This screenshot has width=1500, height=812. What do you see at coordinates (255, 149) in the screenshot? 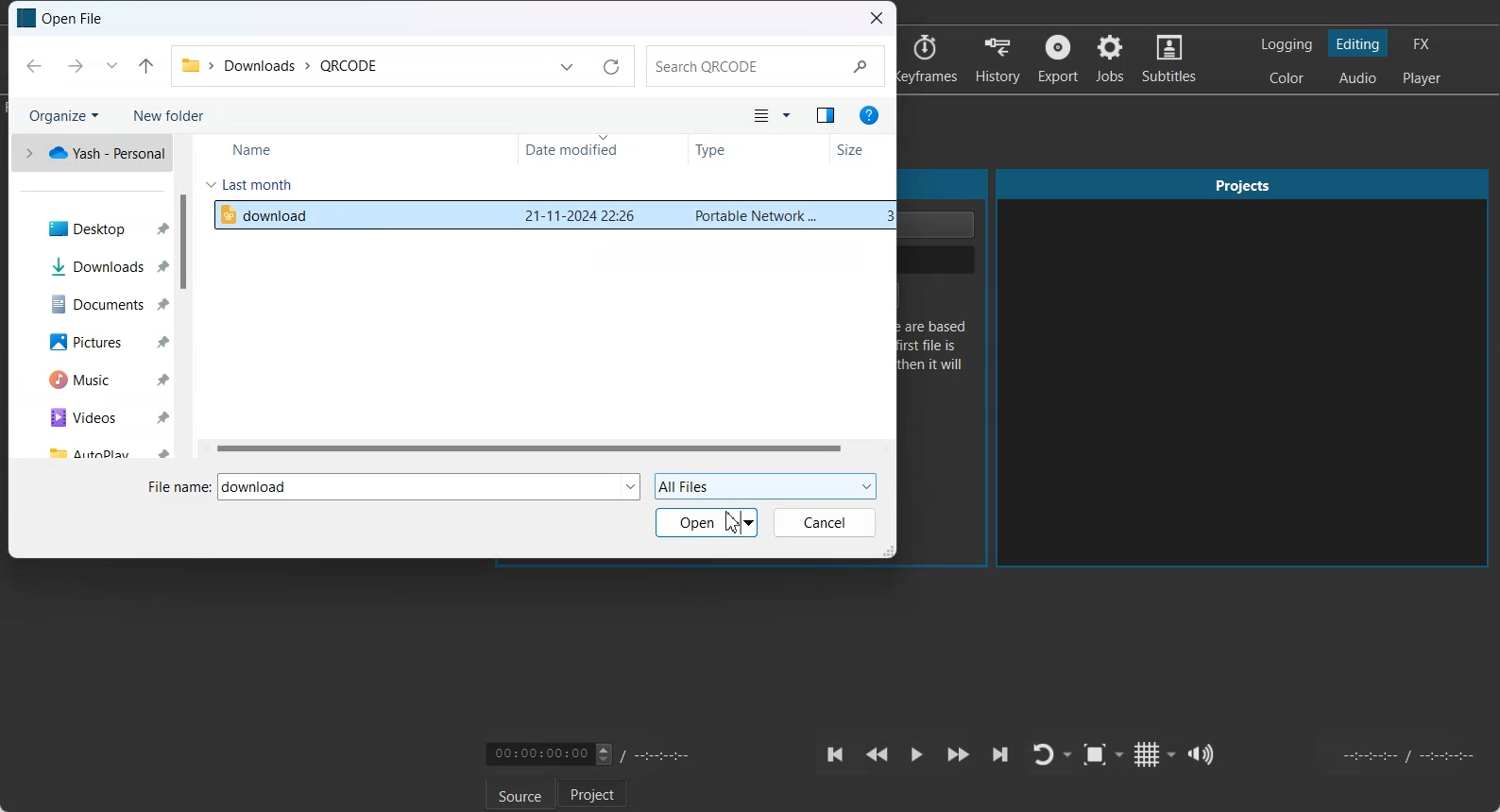
I see `Name` at bounding box center [255, 149].